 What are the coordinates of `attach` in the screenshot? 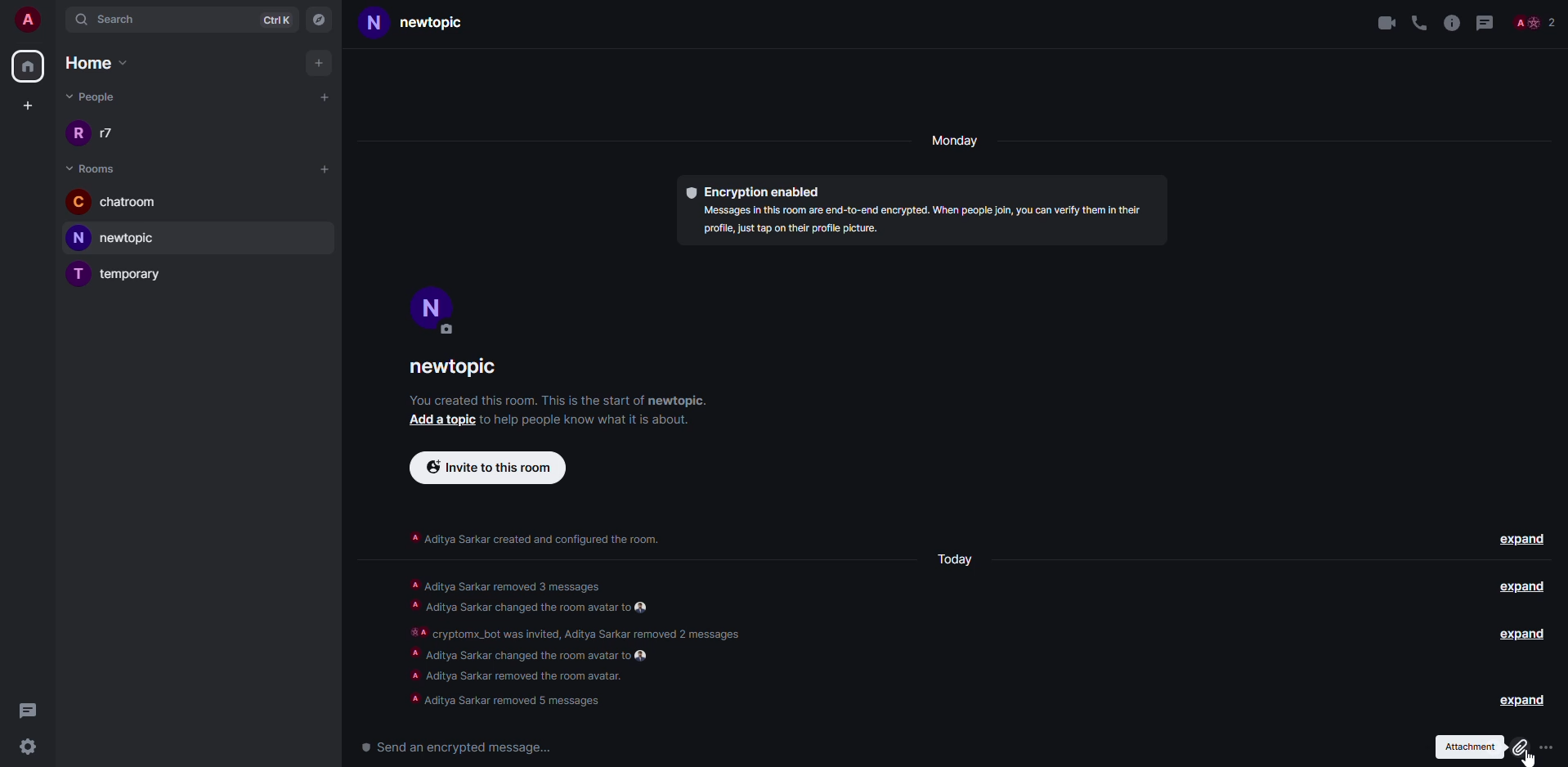 It's located at (1521, 745).